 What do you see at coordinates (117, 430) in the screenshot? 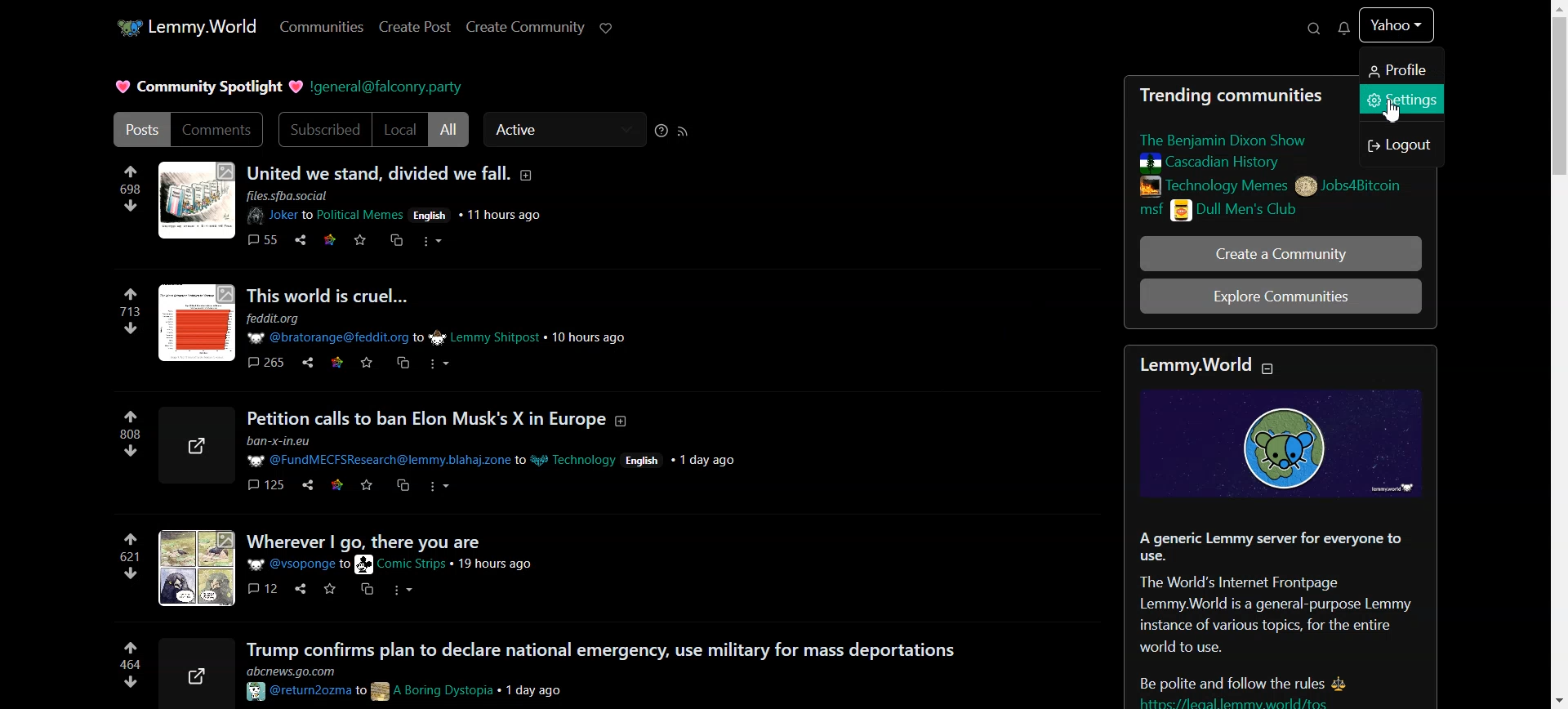
I see `280` at bounding box center [117, 430].